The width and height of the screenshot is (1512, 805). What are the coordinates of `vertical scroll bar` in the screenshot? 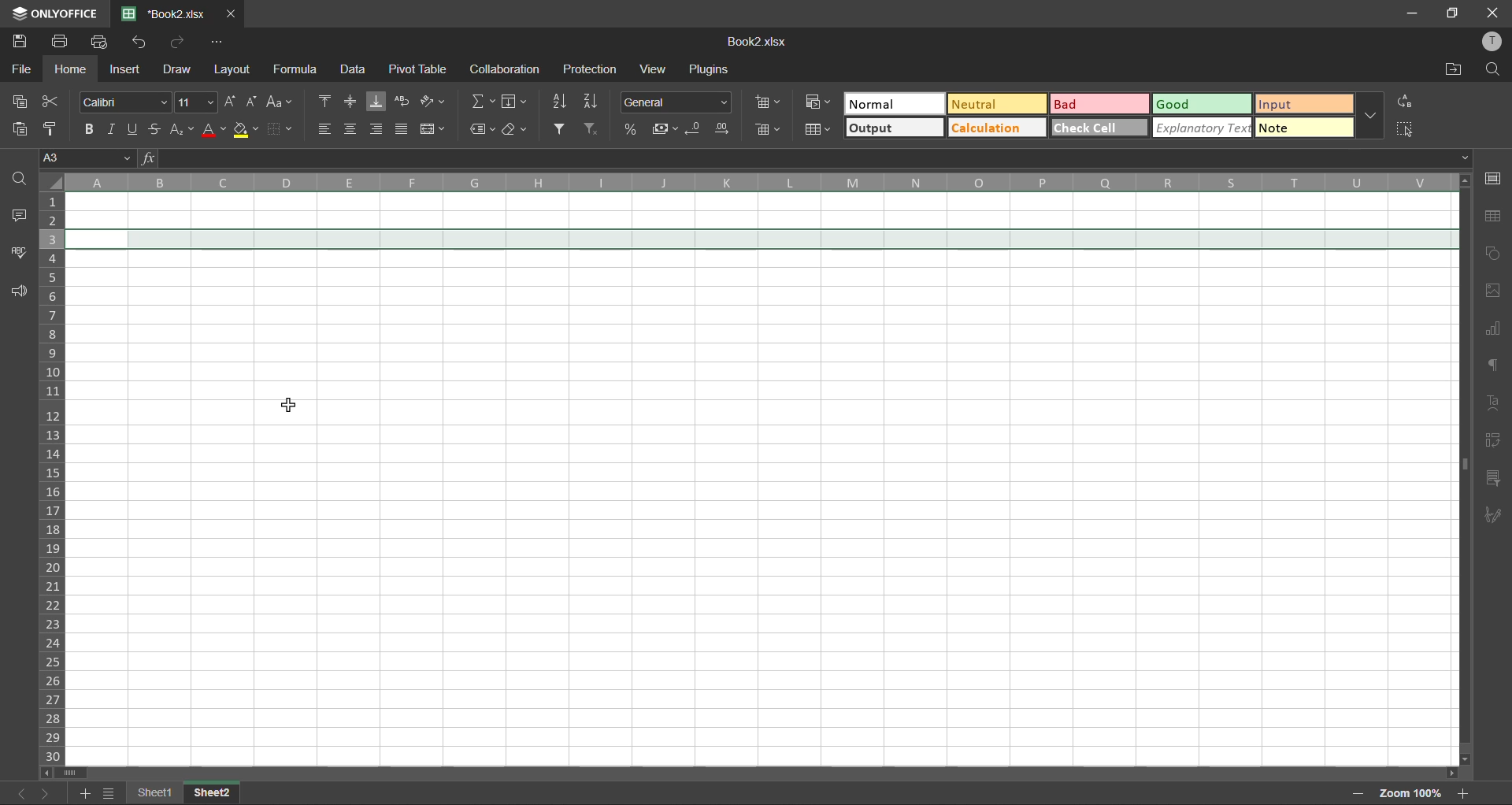 It's located at (1462, 353).